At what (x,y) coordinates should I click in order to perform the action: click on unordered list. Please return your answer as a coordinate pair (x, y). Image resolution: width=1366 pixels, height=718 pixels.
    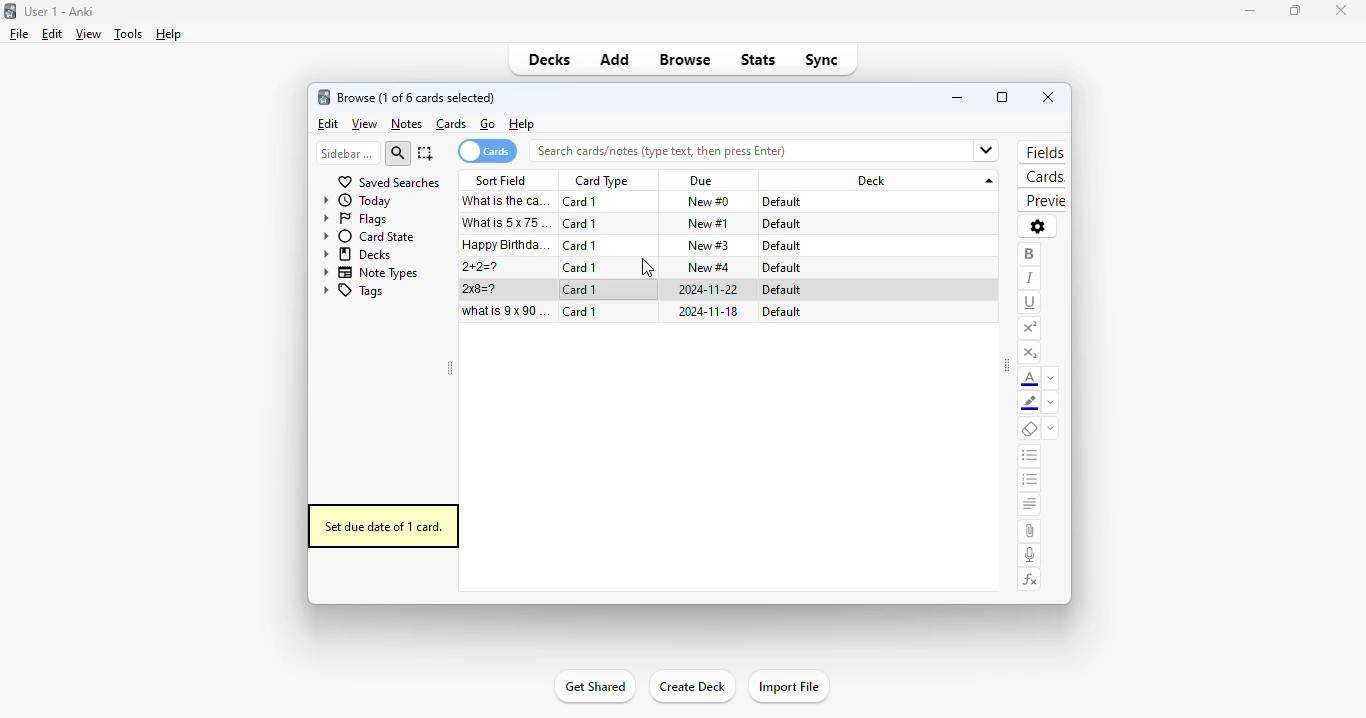
    Looking at the image, I should click on (1030, 457).